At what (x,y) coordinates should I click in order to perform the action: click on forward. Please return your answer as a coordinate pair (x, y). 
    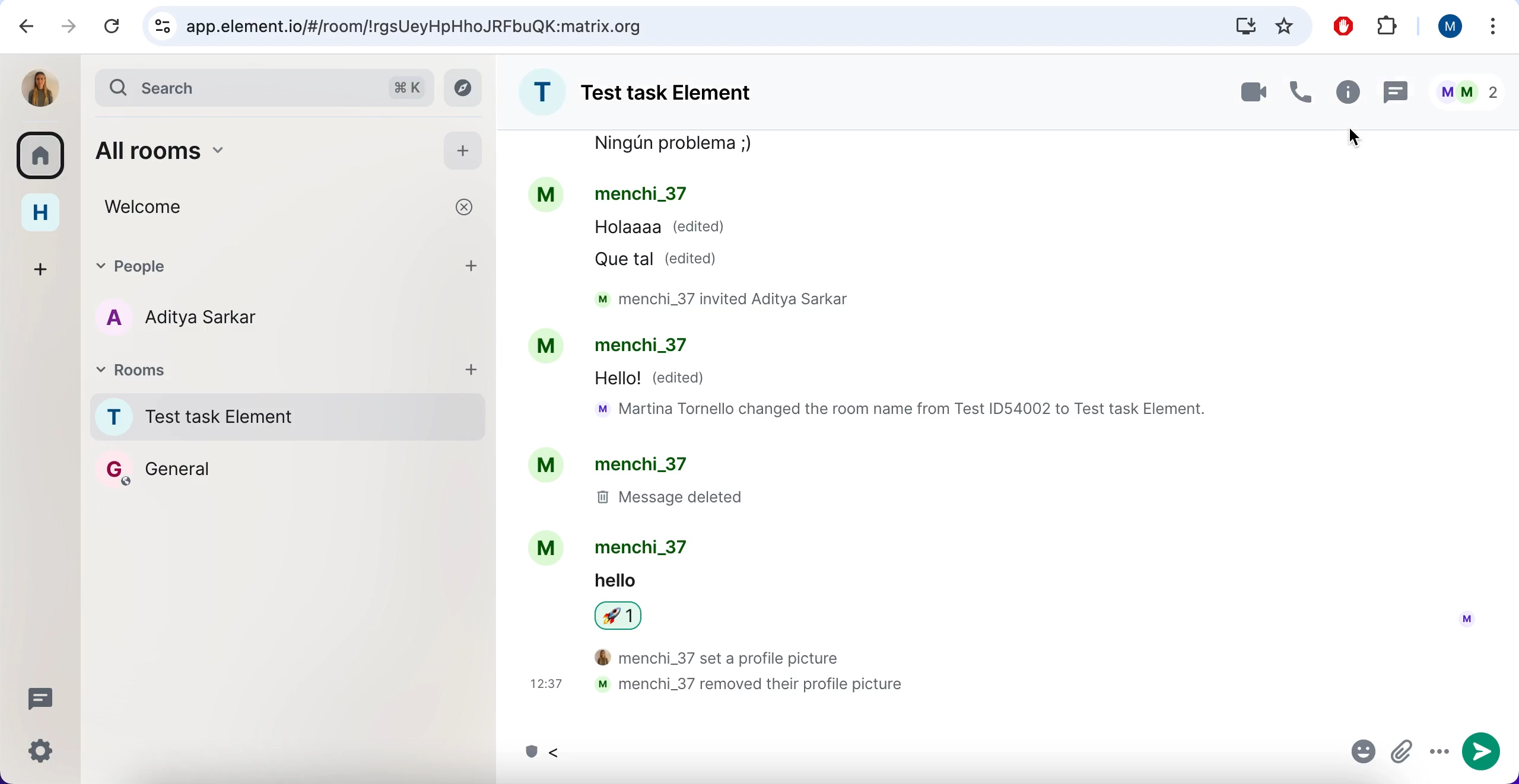
    Looking at the image, I should click on (68, 28).